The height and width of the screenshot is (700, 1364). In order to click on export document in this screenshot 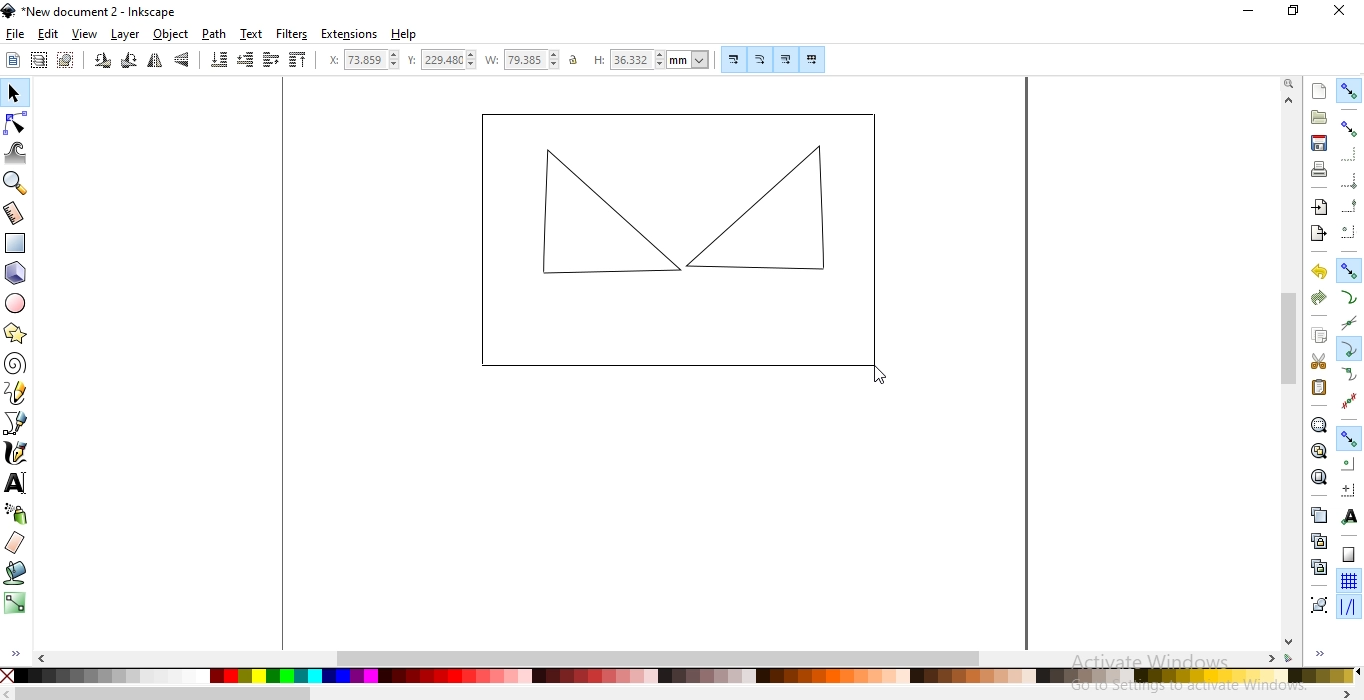, I will do `click(1316, 233)`.